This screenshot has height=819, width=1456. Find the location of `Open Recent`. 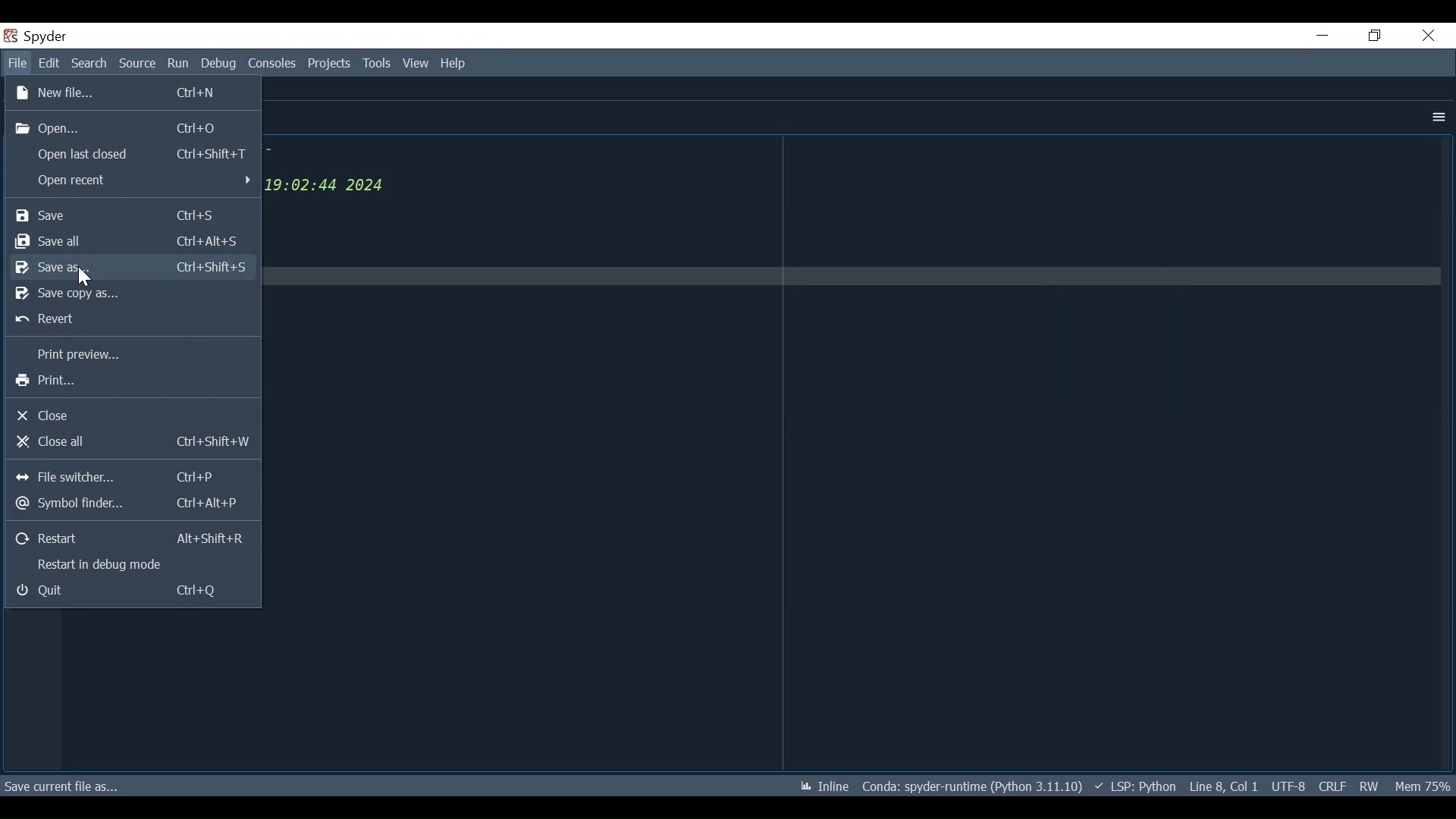

Open Recent is located at coordinates (133, 182).